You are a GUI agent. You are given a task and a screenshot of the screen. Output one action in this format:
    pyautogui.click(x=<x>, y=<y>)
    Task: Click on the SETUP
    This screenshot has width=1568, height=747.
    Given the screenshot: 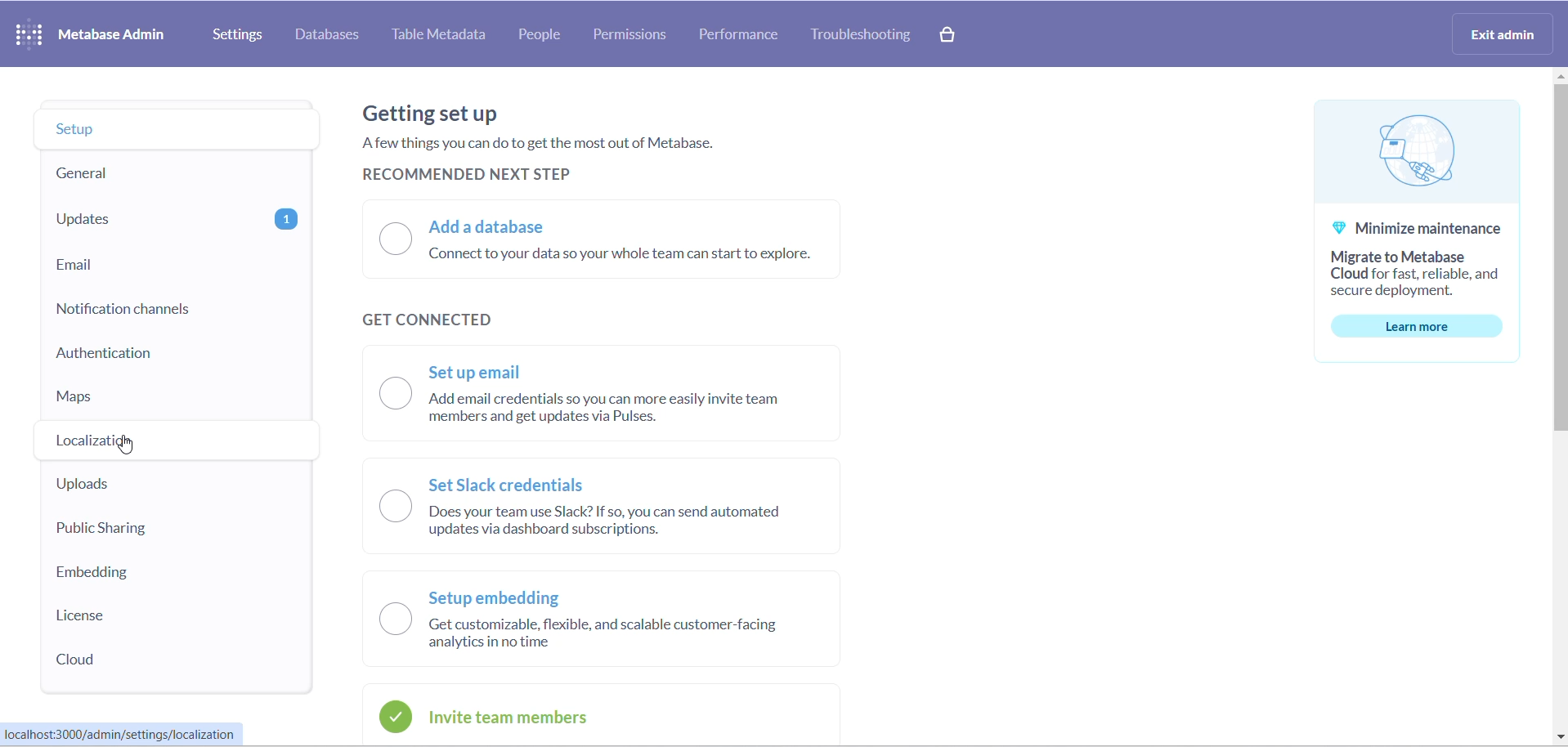 What is the action you would take?
    pyautogui.click(x=173, y=130)
    